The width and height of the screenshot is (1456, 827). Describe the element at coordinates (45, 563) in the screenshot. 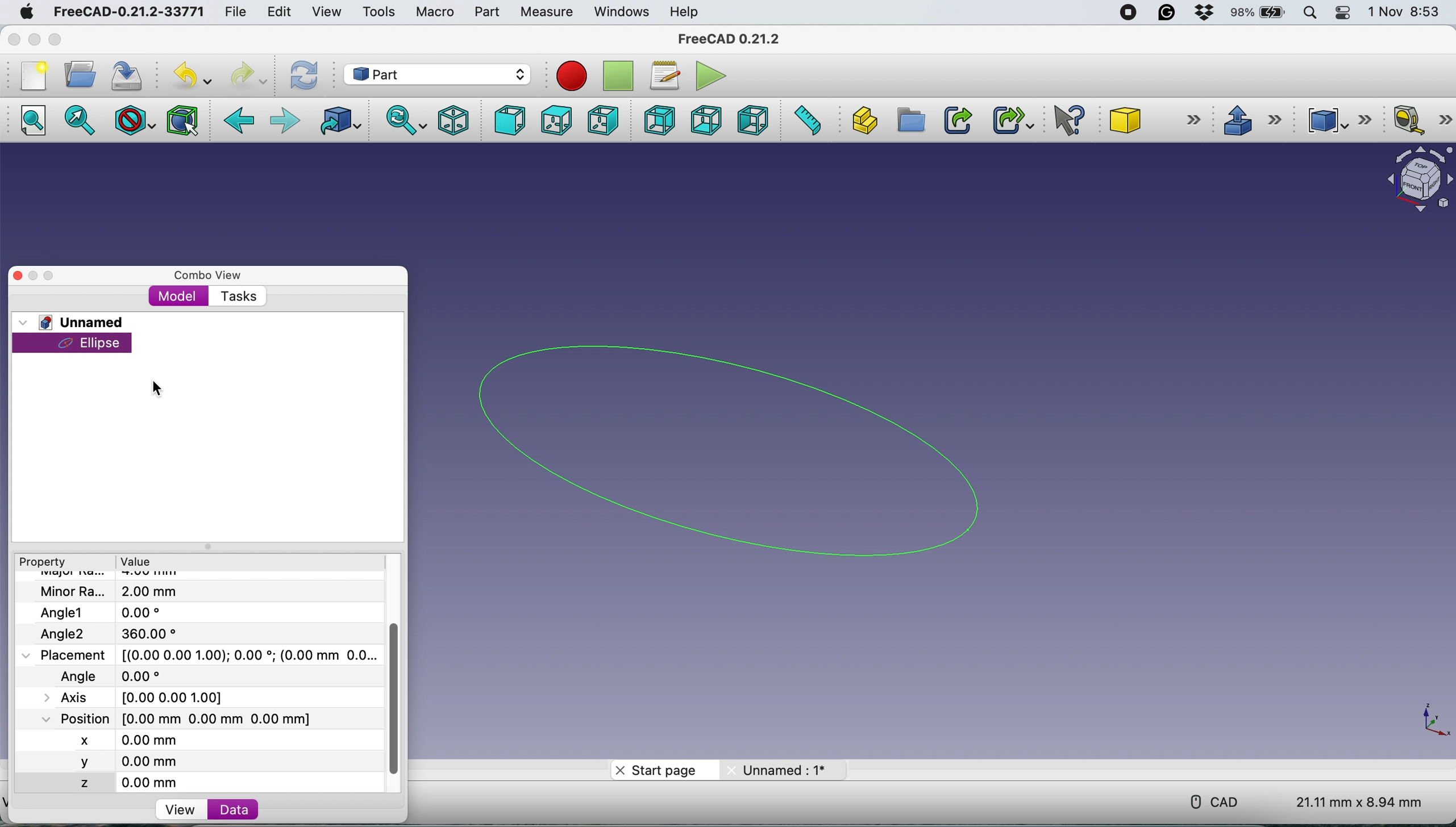

I see `property` at that location.